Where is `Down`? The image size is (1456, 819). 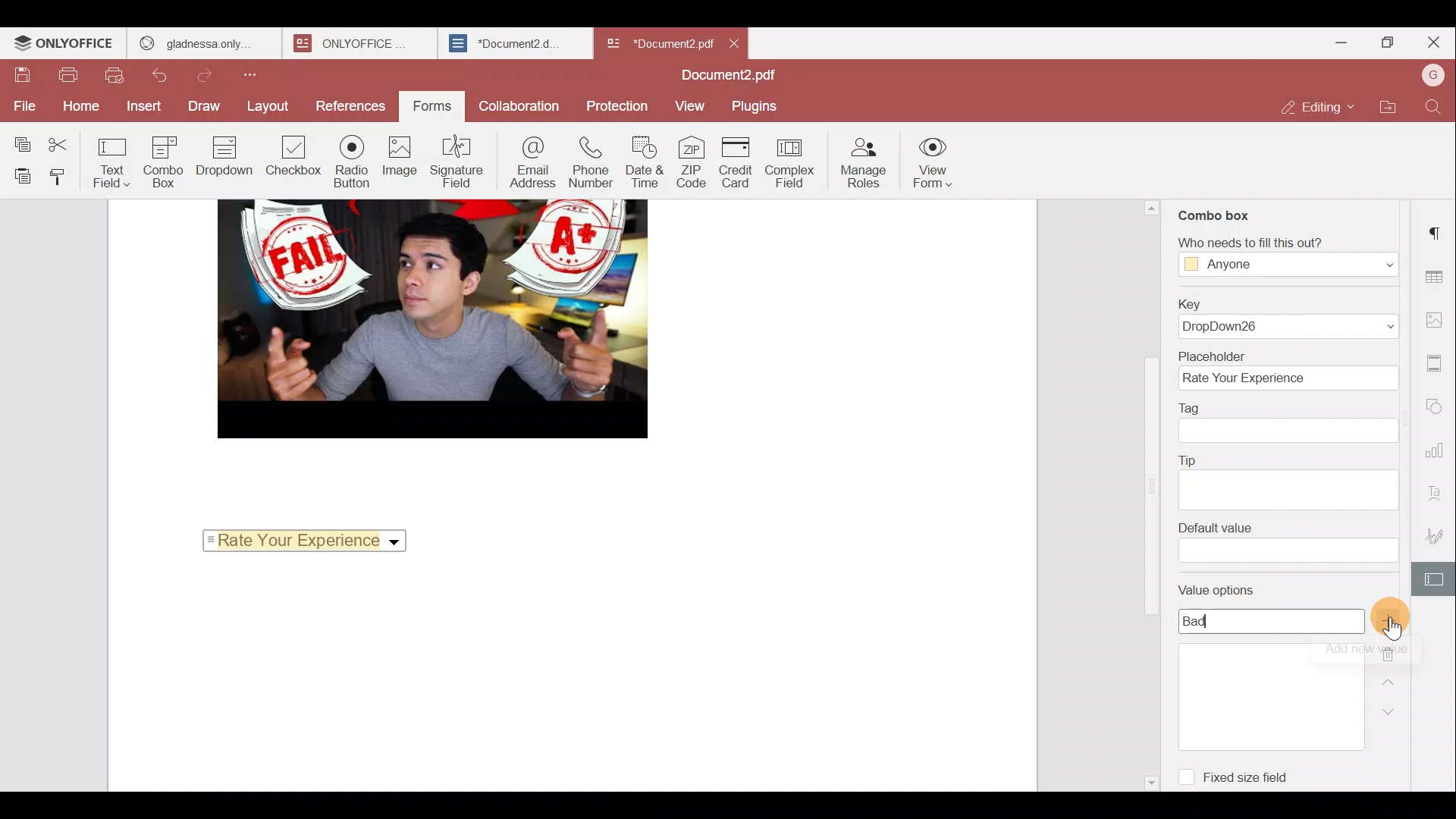 Down is located at coordinates (1395, 718).